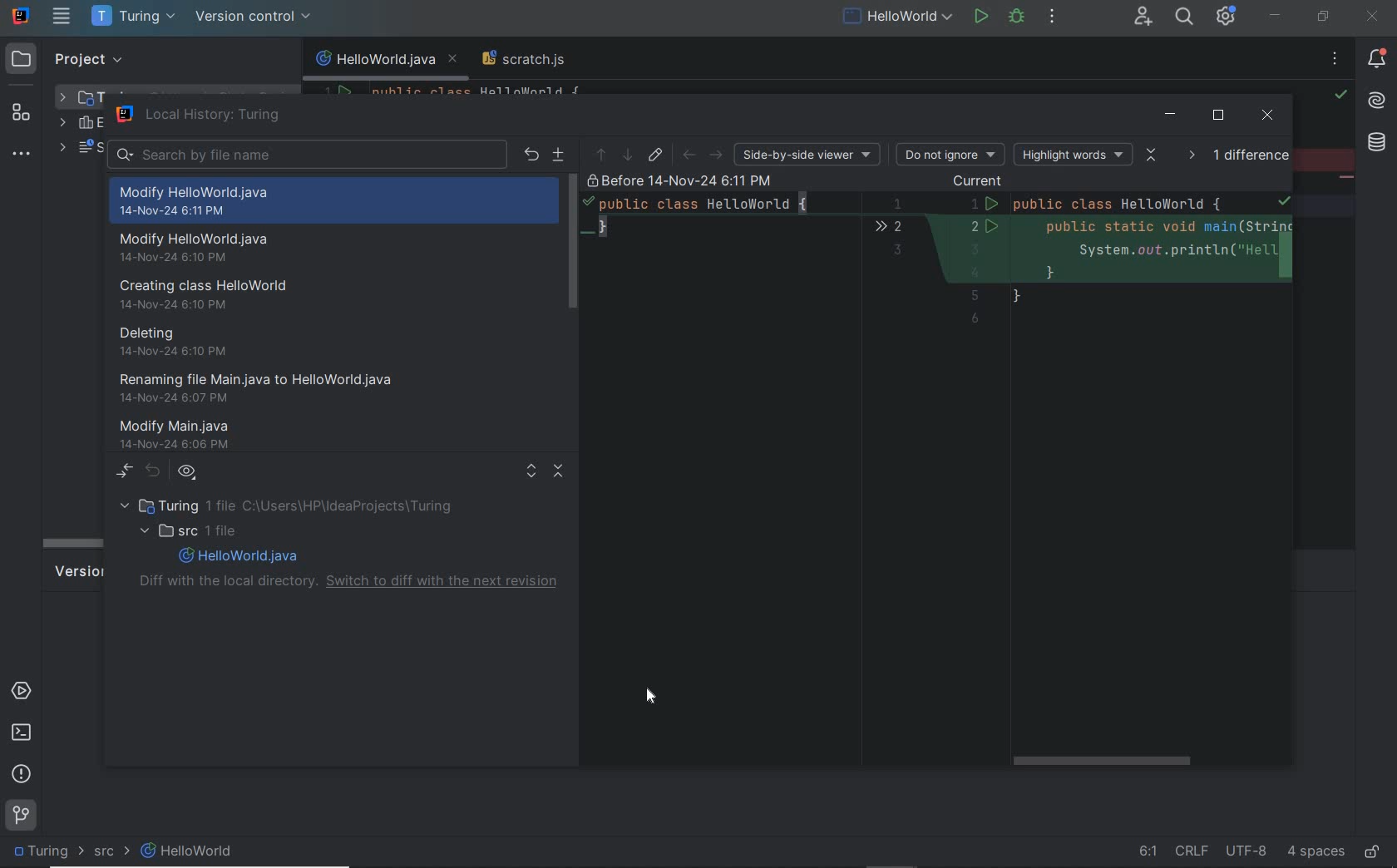  What do you see at coordinates (1144, 16) in the screenshot?
I see `code with me` at bounding box center [1144, 16].